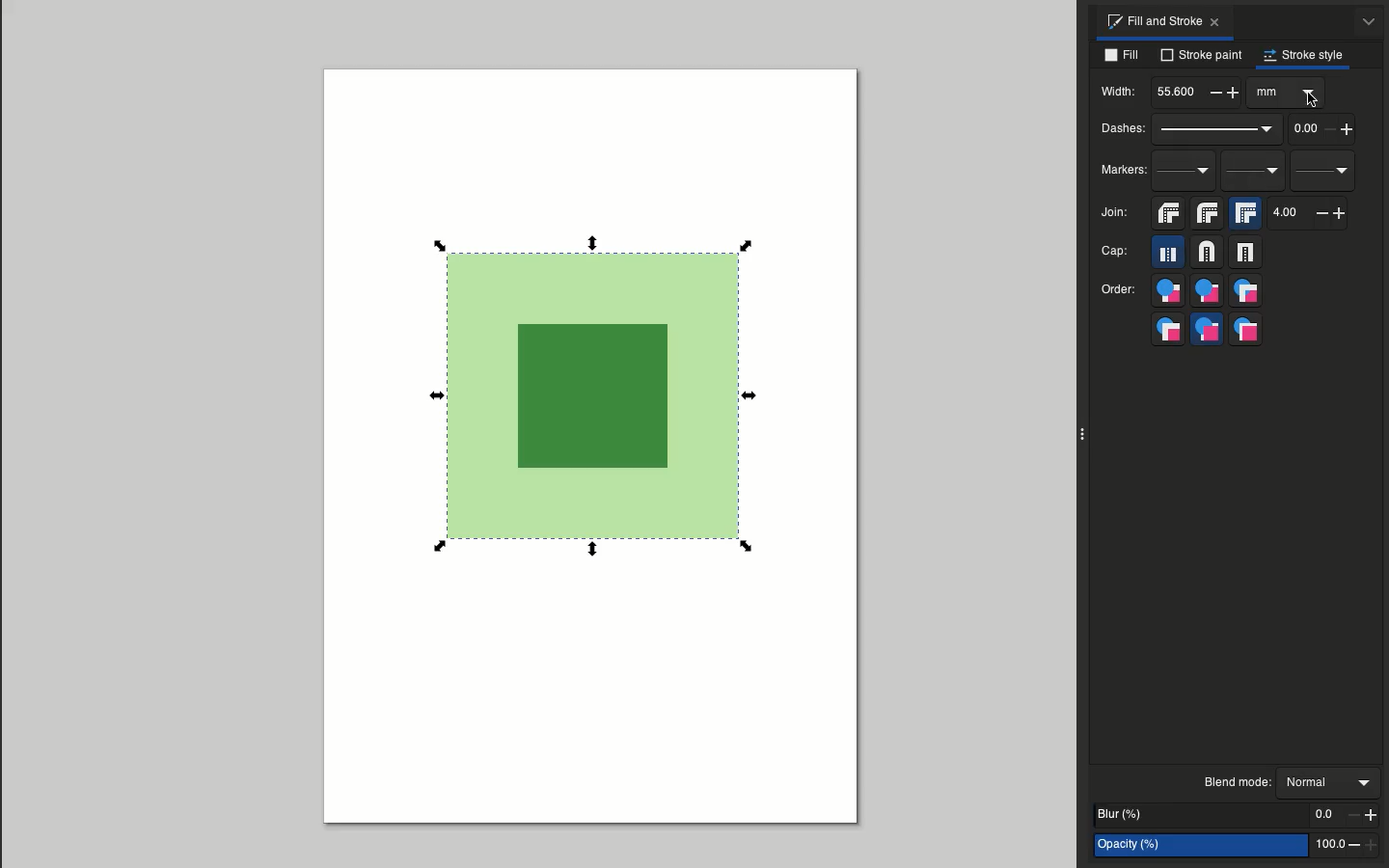  Describe the element at coordinates (1162, 21) in the screenshot. I see `Fill and stroke` at that location.